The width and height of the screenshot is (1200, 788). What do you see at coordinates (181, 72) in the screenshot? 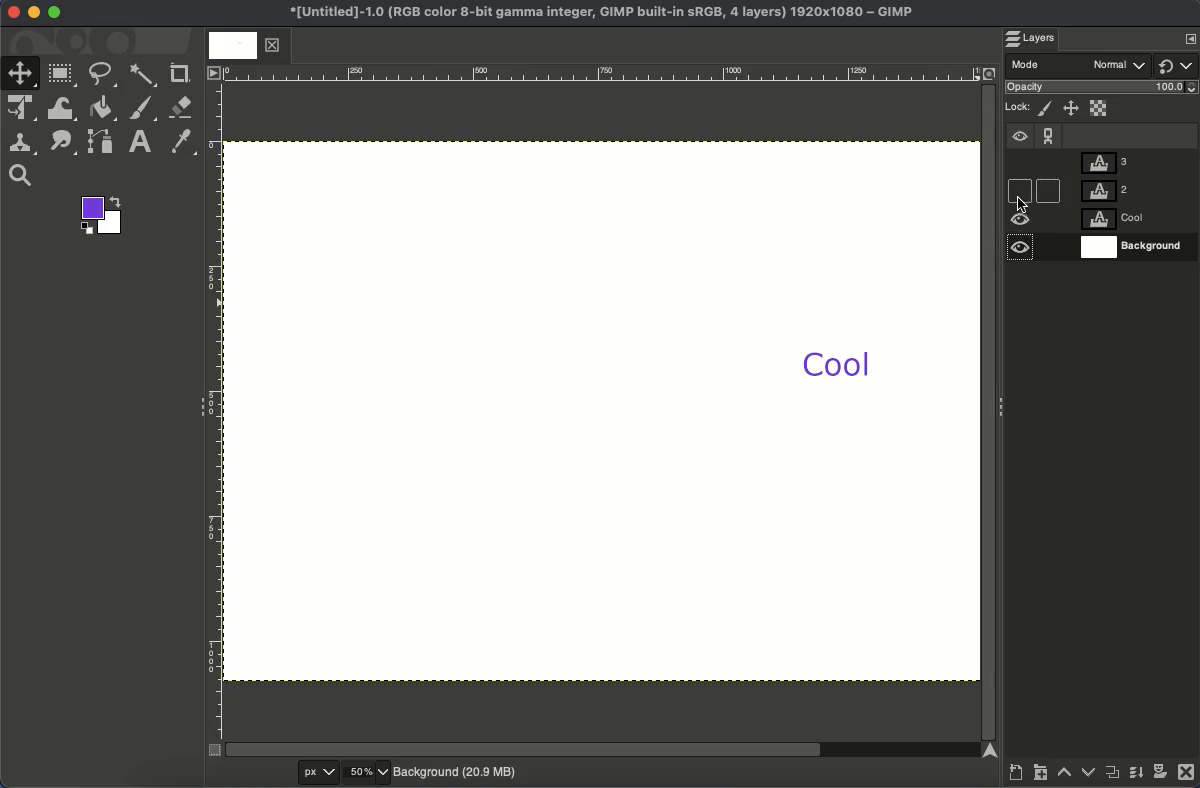
I see `Crop` at bounding box center [181, 72].